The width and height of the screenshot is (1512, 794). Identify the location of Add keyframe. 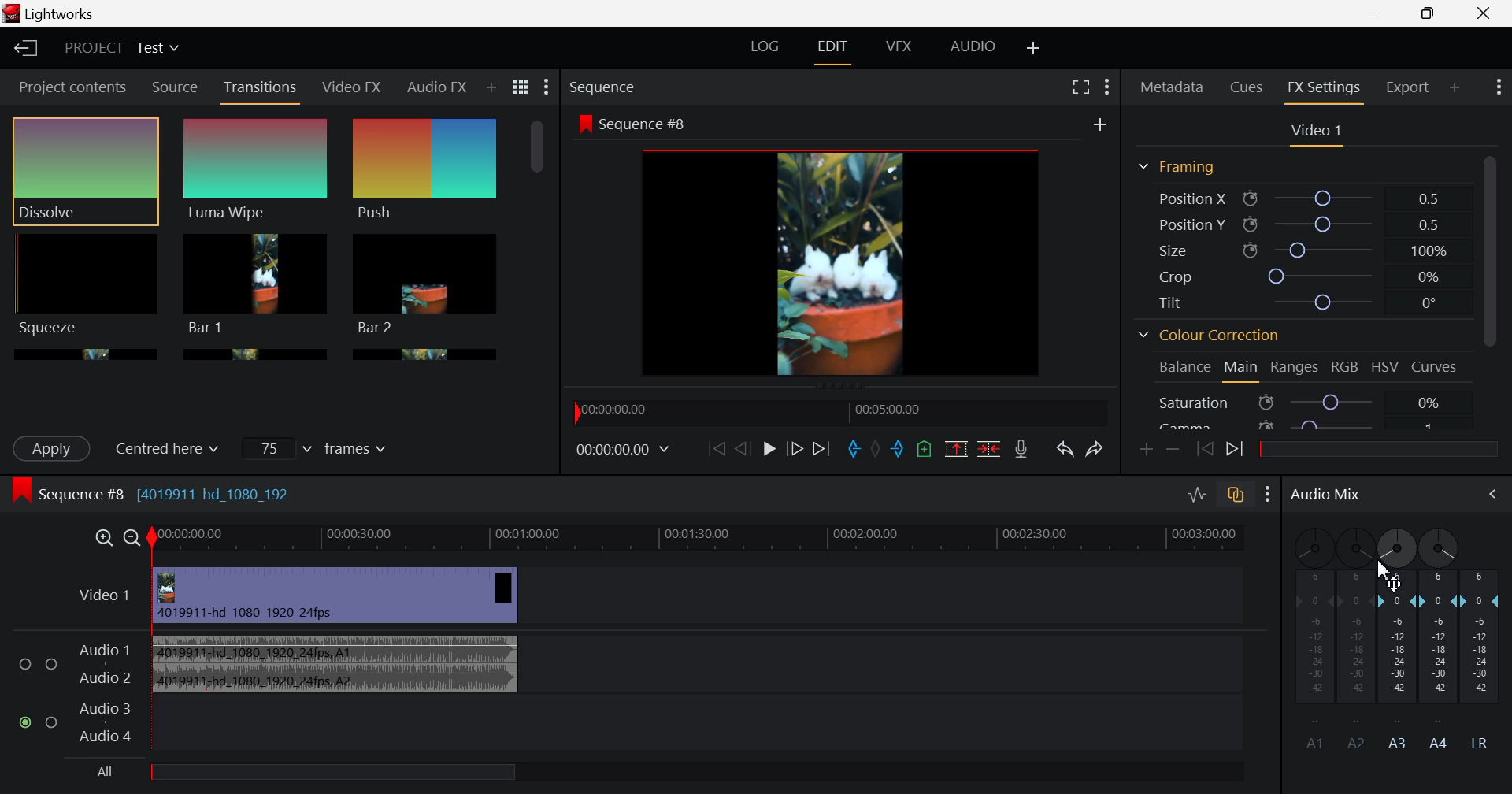
(1143, 451).